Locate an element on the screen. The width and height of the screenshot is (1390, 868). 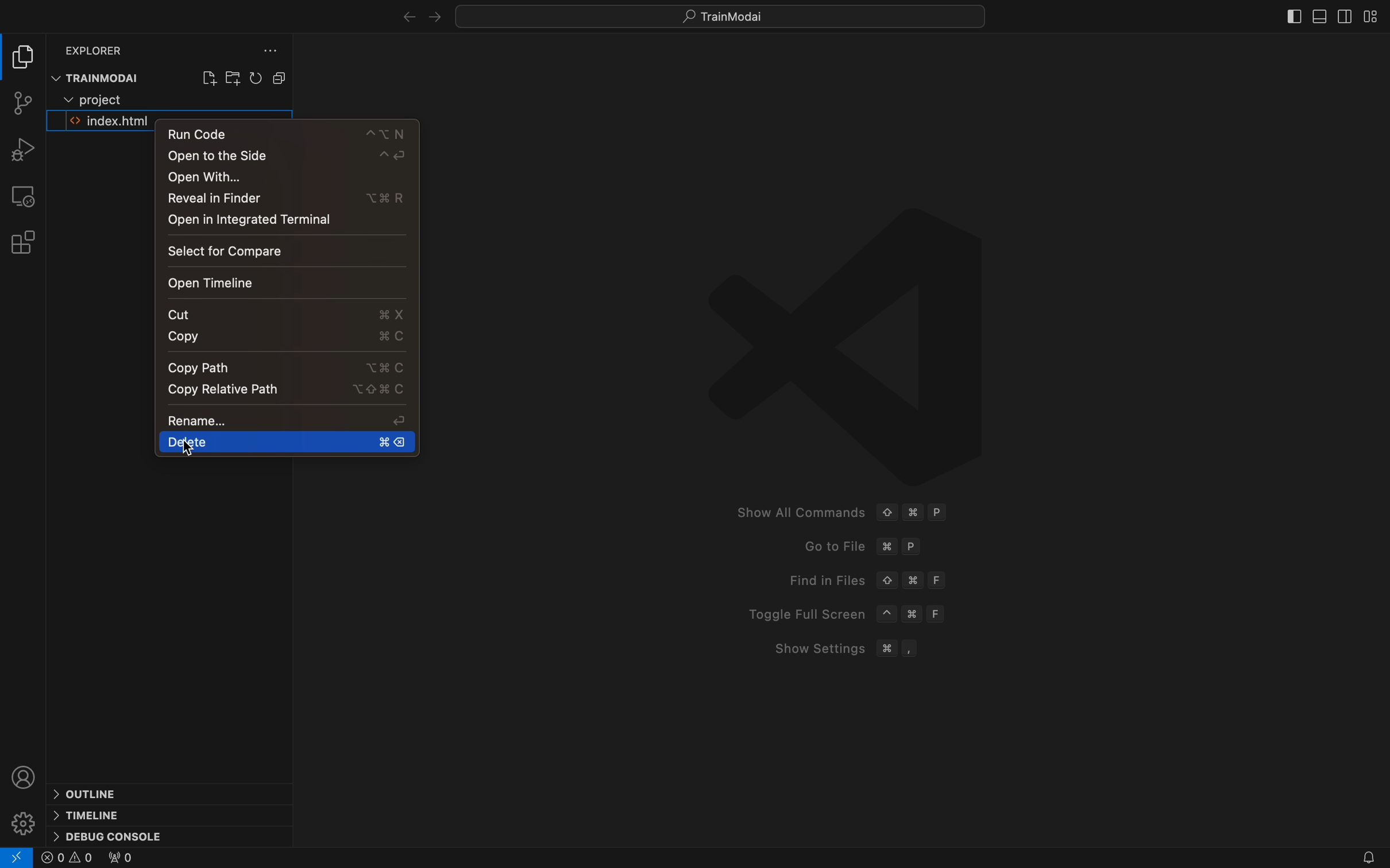
file explore is located at coordinates (25, 59).